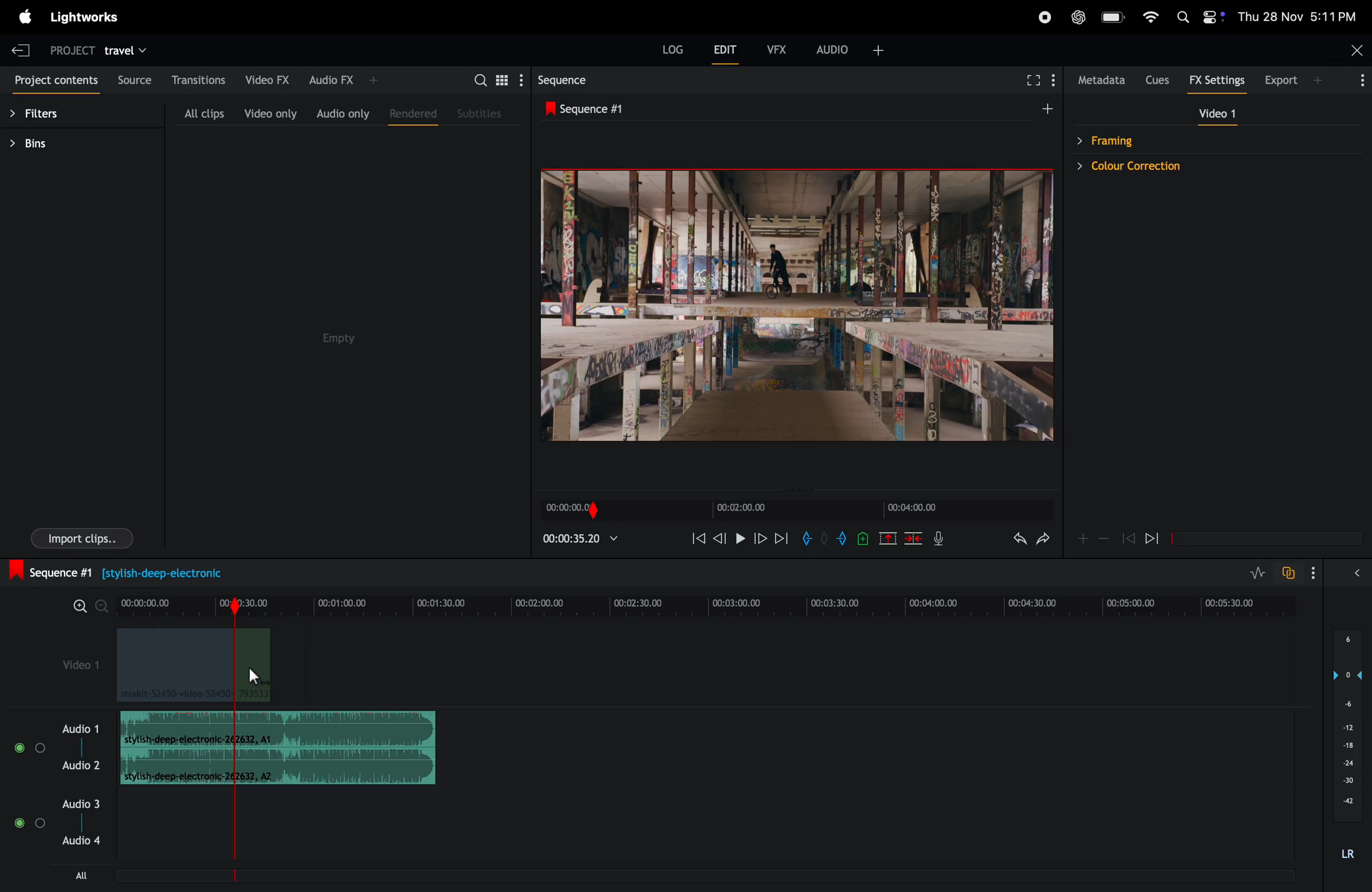  What do you see at coordinates (1252, 572) in the screenshot?
I see `toggle audio level editing` at bounding box center [1252, 572].